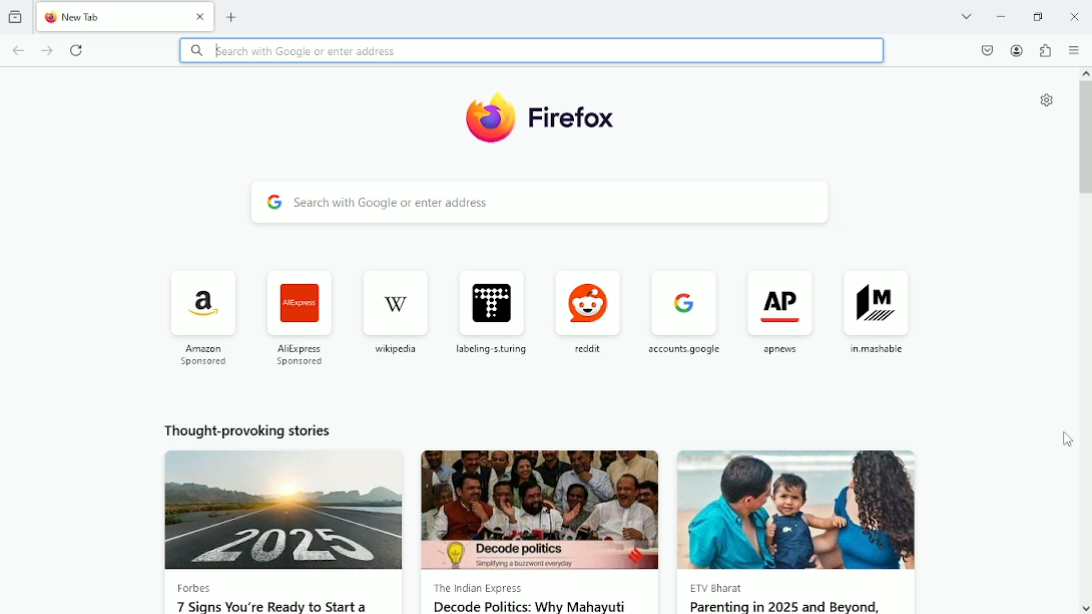 The image size is (1092, 614). What do you see at coordinates (46, 50) in the screenshot?
I see `go forward` at bounding box center [46, 50].